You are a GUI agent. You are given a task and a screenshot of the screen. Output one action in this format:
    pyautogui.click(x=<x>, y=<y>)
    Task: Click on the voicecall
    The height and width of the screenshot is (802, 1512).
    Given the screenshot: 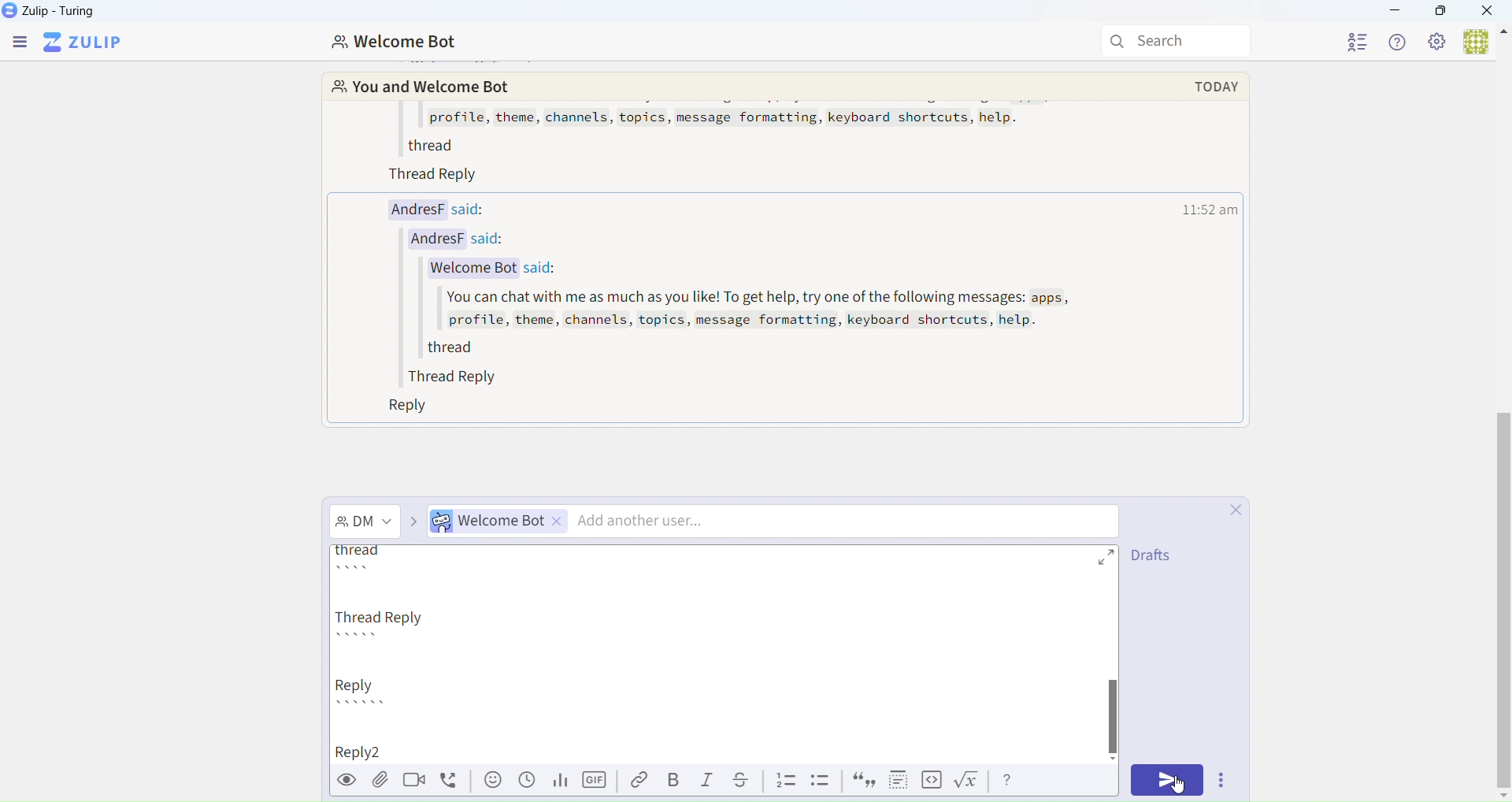 What is the action you would take?
    pyautogui.click(x=453, y=783)
    